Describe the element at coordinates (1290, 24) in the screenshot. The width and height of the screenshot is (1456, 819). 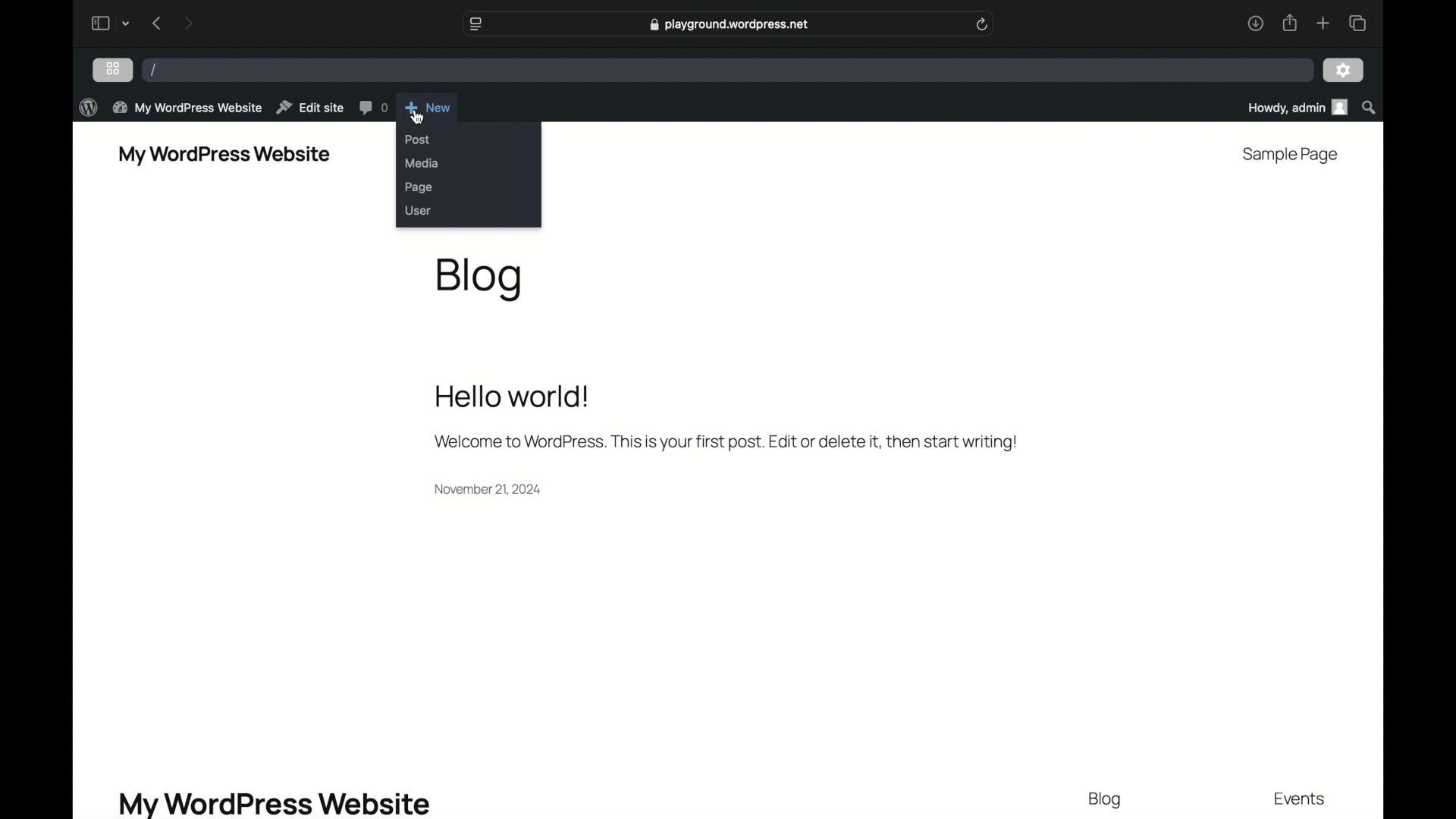
I see `share` at that location.